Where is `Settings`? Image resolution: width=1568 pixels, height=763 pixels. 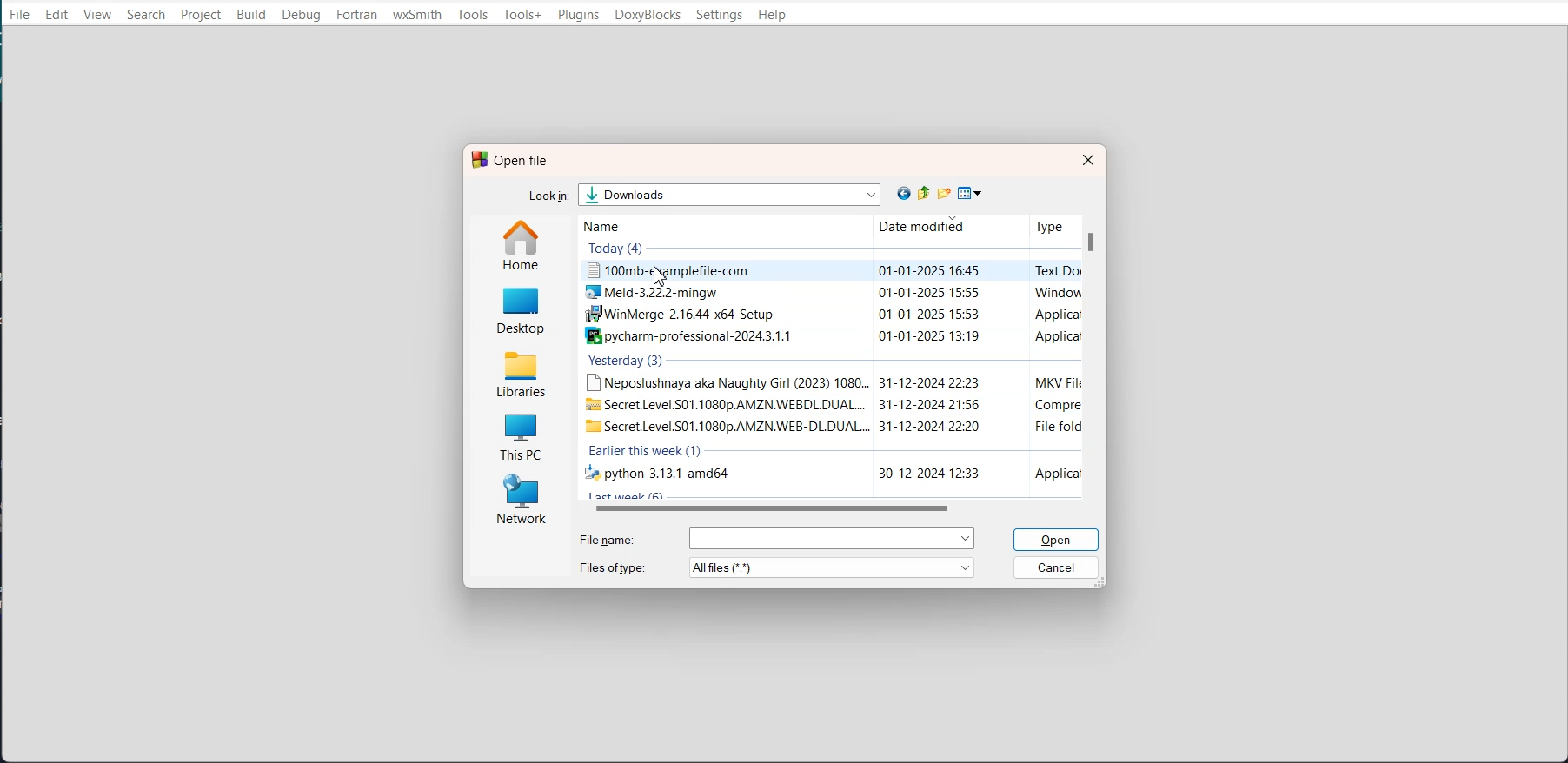 Settings is located at coordinates (719, 15).